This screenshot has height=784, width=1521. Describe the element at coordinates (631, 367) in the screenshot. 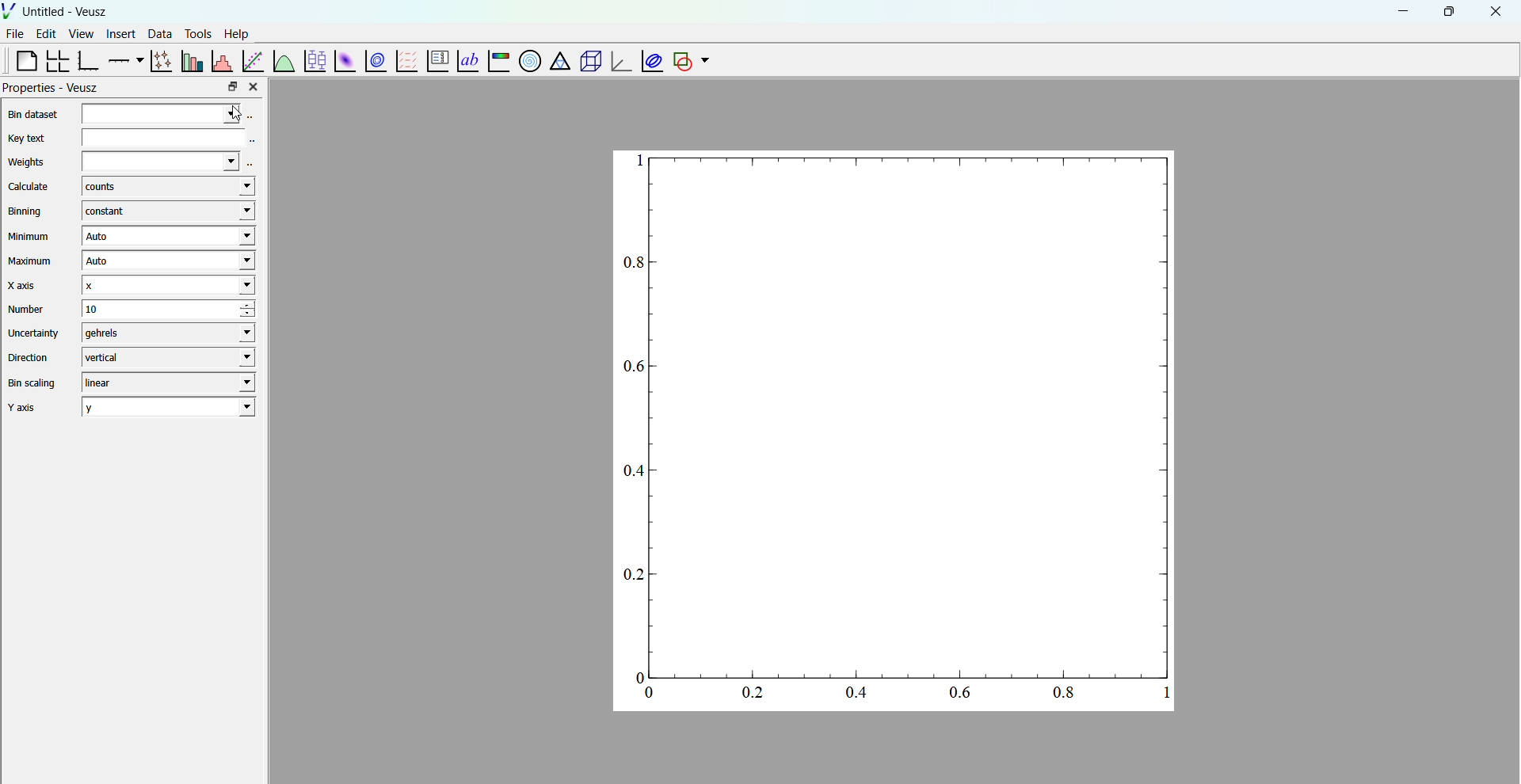

I see `0.6` at that location.